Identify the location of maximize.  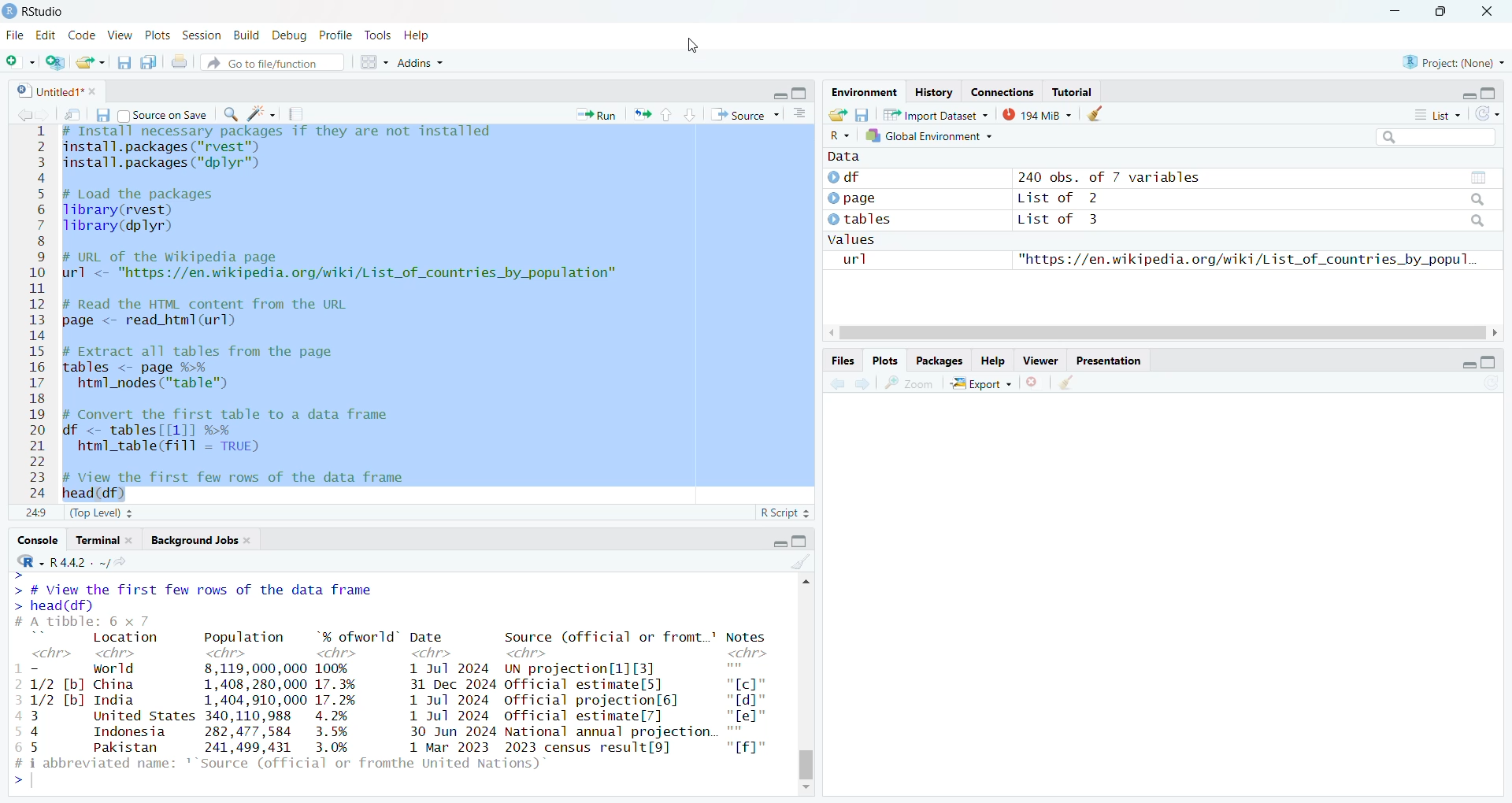
(1489, 93).